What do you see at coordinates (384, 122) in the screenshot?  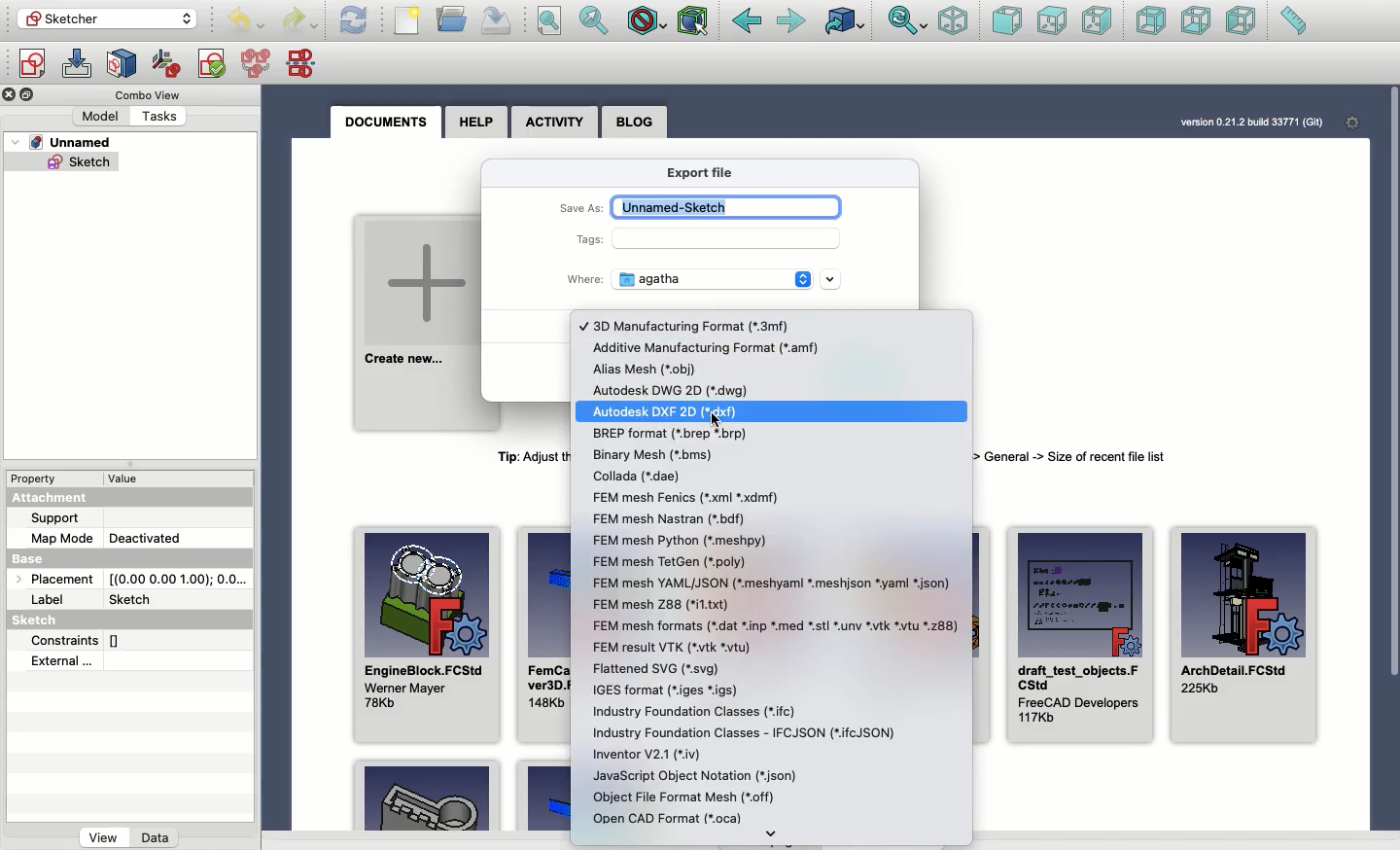 I see `Documents` at bounding box center [384, 122].